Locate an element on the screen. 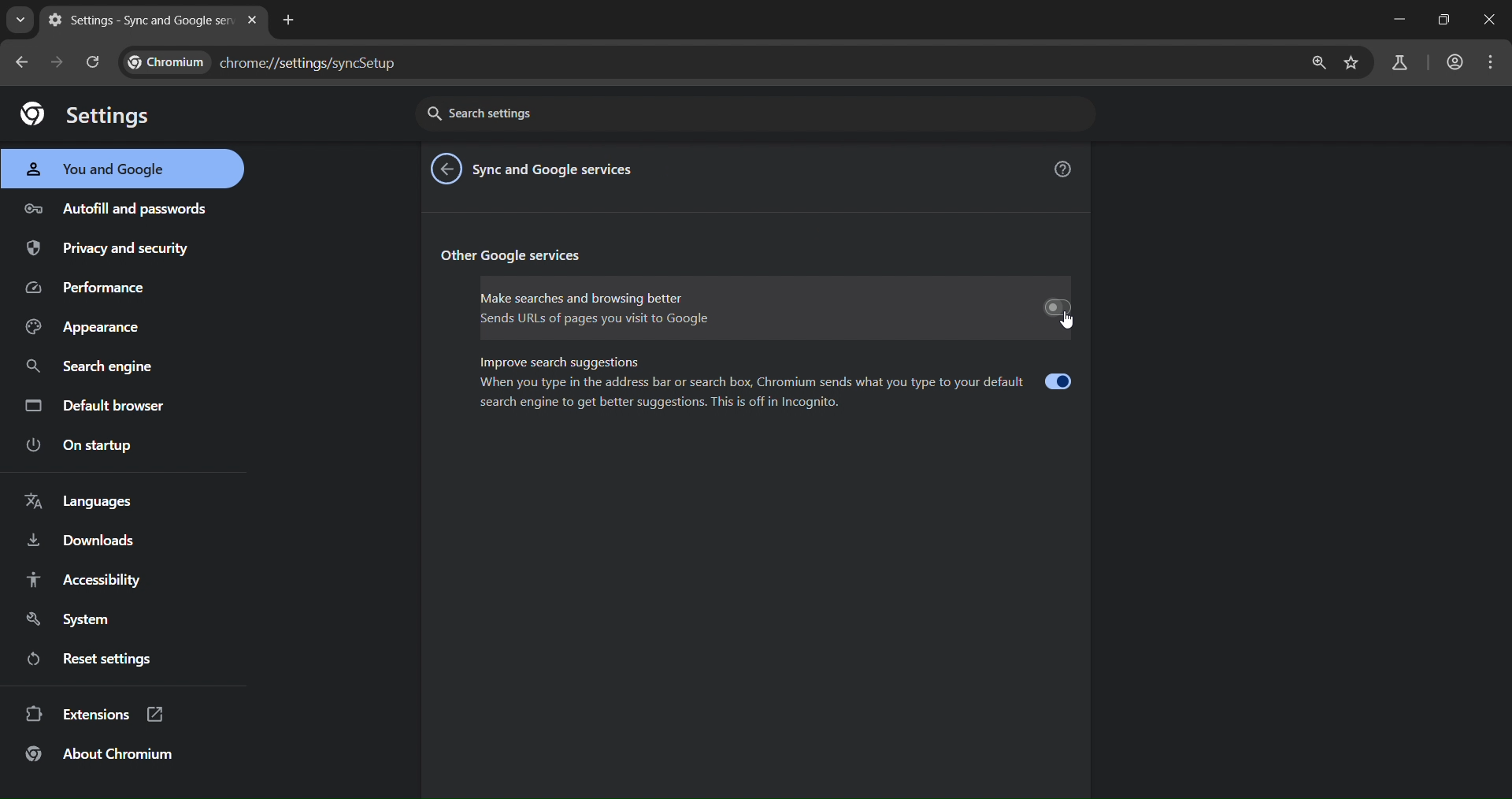 This screenshot has height=799, width=1512. languages is located at coordinates (93, 500).